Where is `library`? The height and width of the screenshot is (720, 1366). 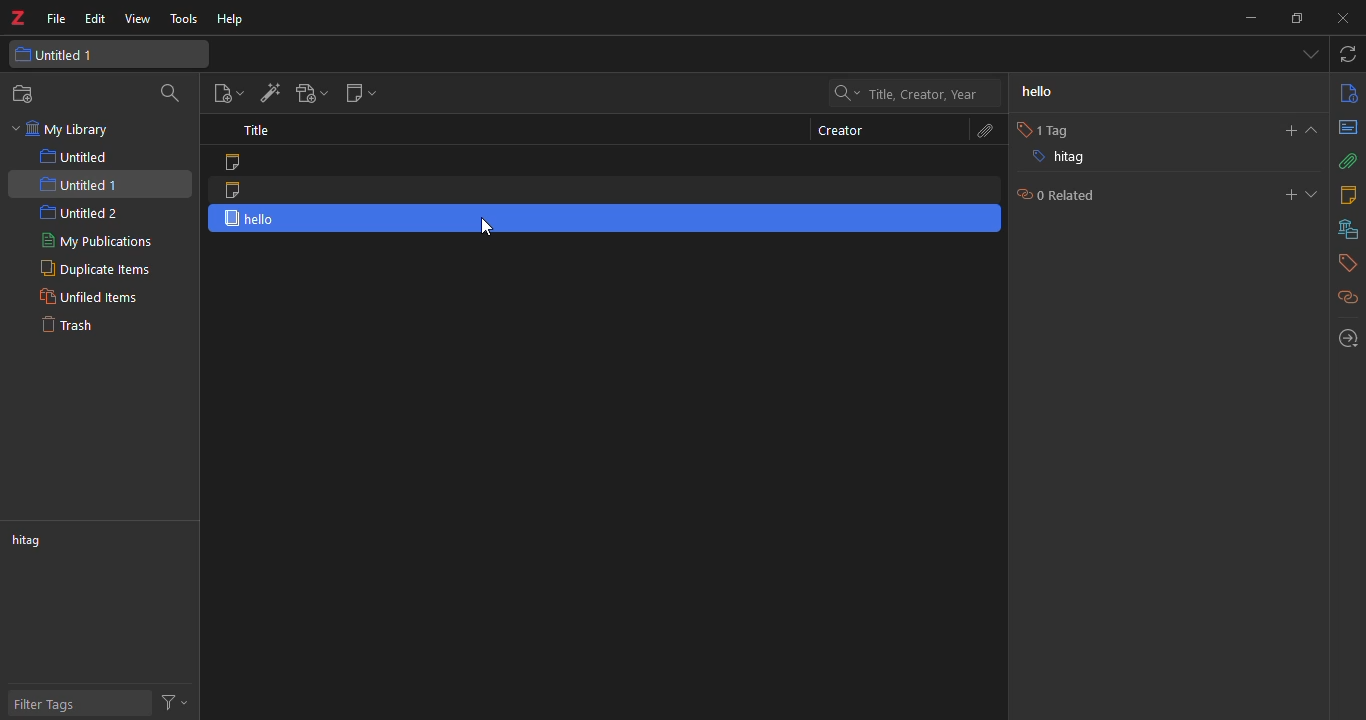
library is located at coordinates (1349, 230).